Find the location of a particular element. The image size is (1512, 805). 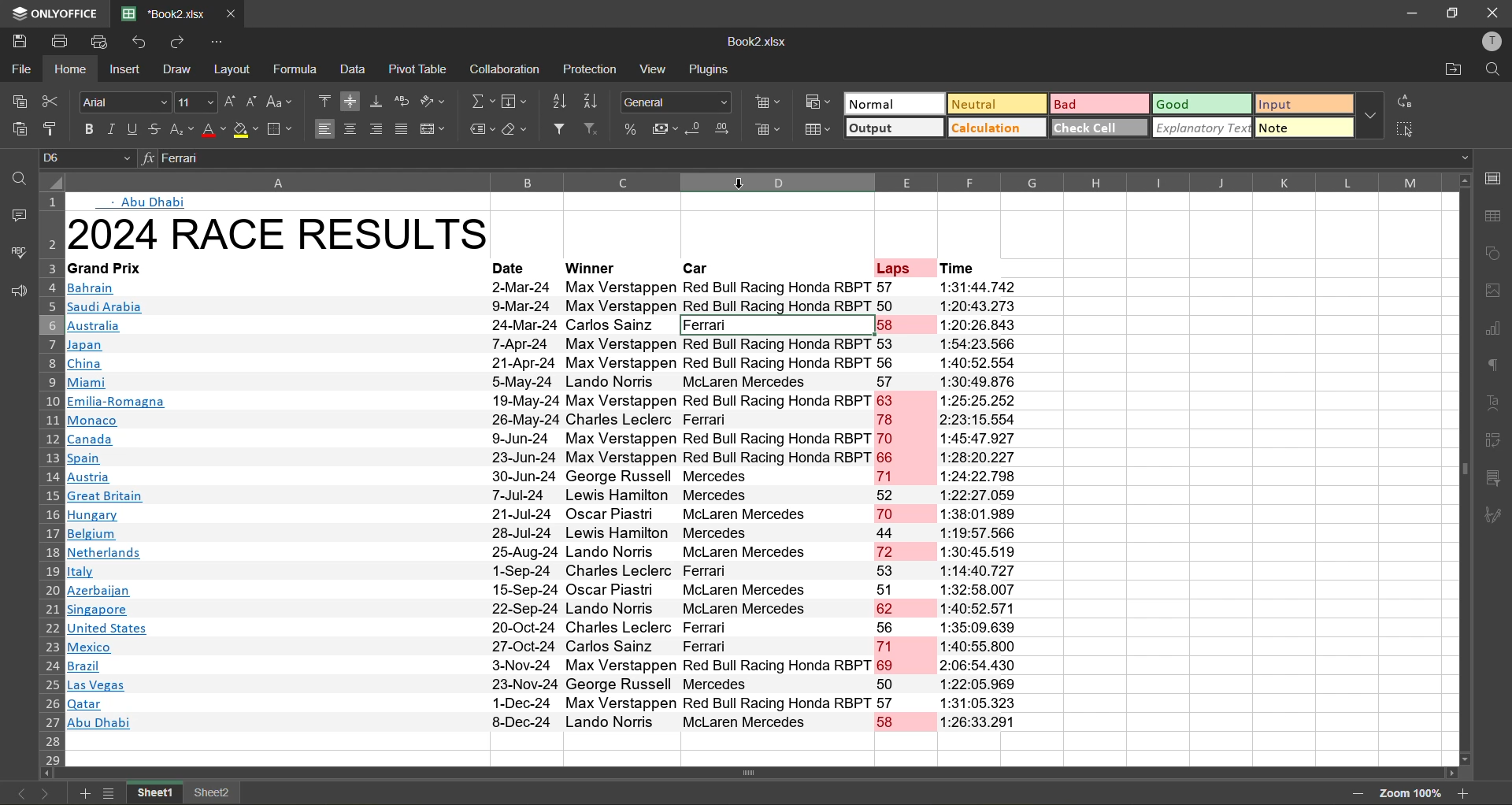

cut is located at coordinates (51, 102).